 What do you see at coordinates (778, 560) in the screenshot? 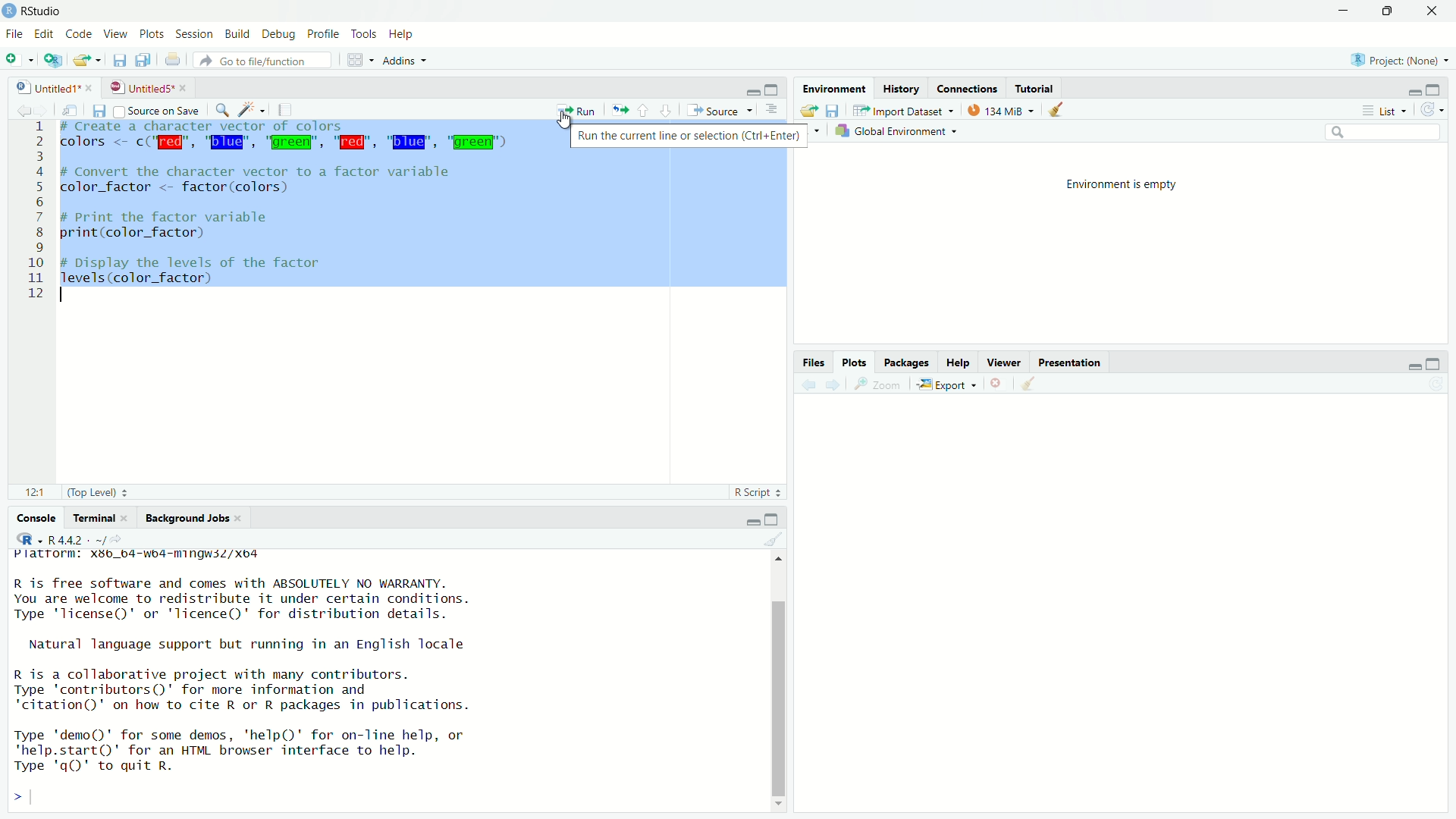
I see `move top` at bounding box center [778, 560].